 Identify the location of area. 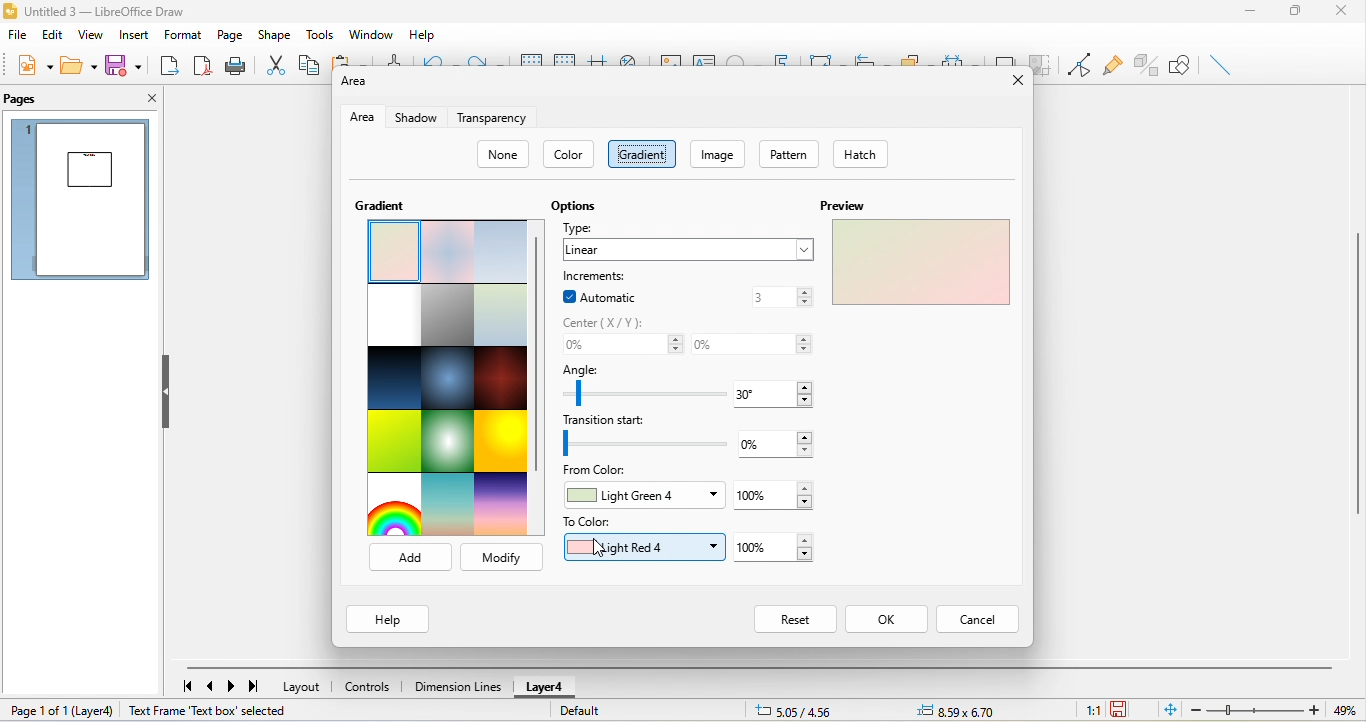
(352, 87).